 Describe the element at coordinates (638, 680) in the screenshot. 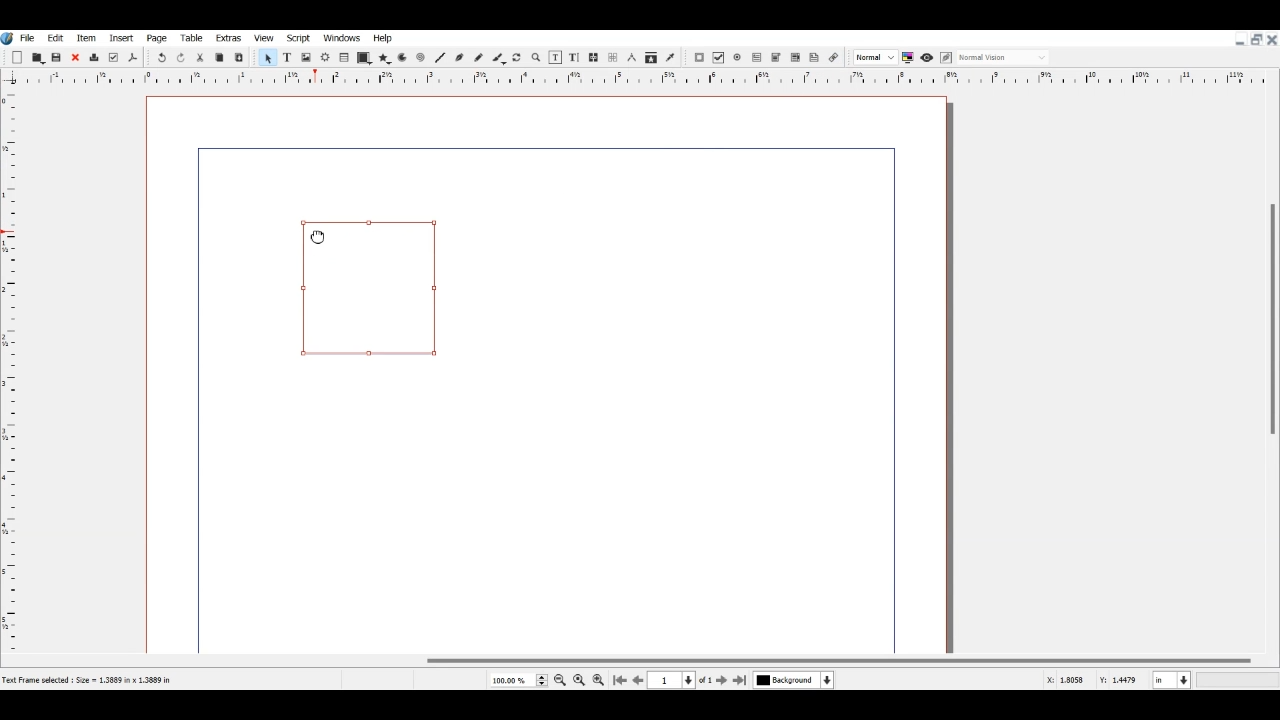

I see `Go to Previous page` at that location.